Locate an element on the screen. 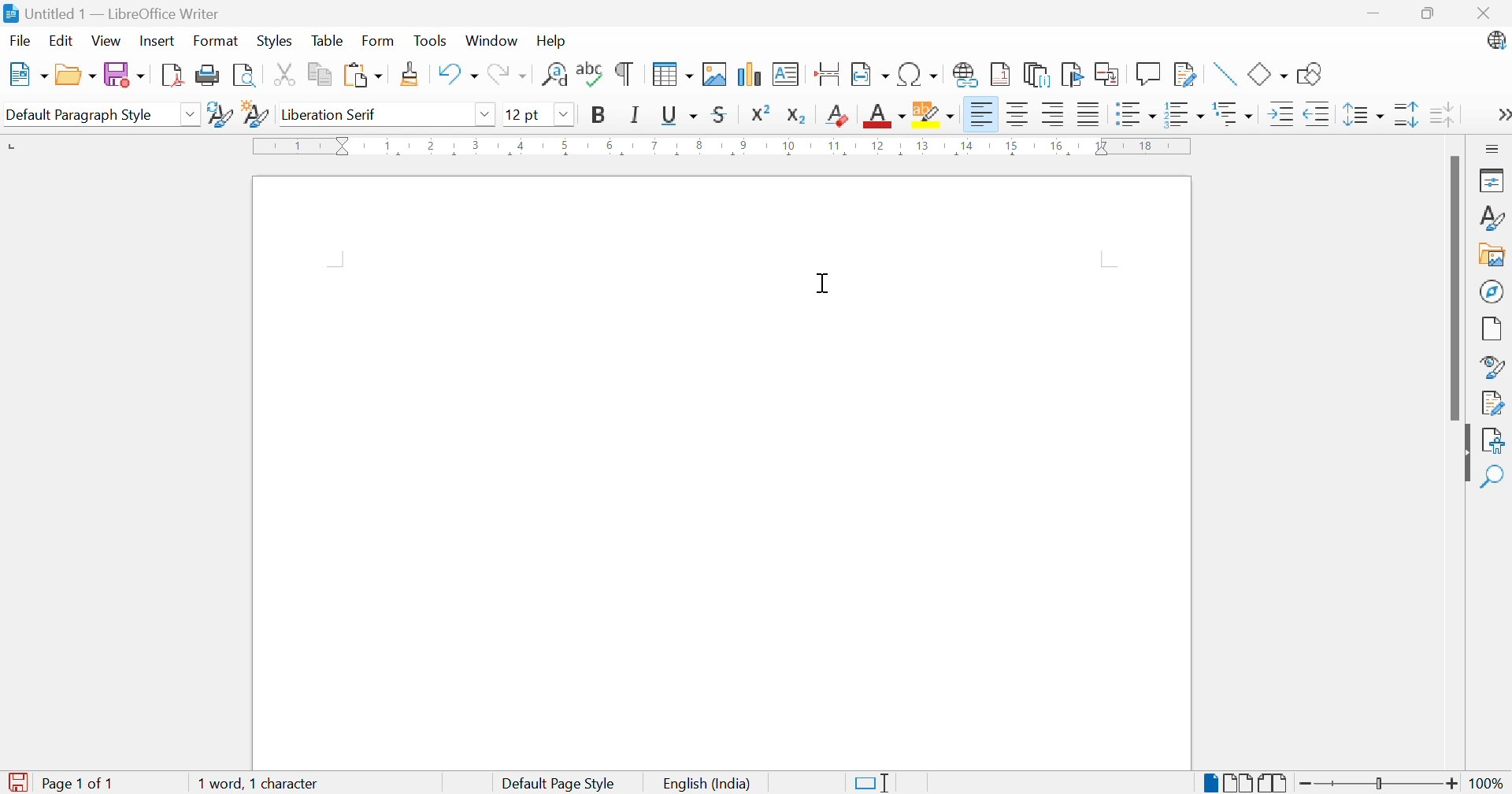  Table is located at coordinates (328, 41).